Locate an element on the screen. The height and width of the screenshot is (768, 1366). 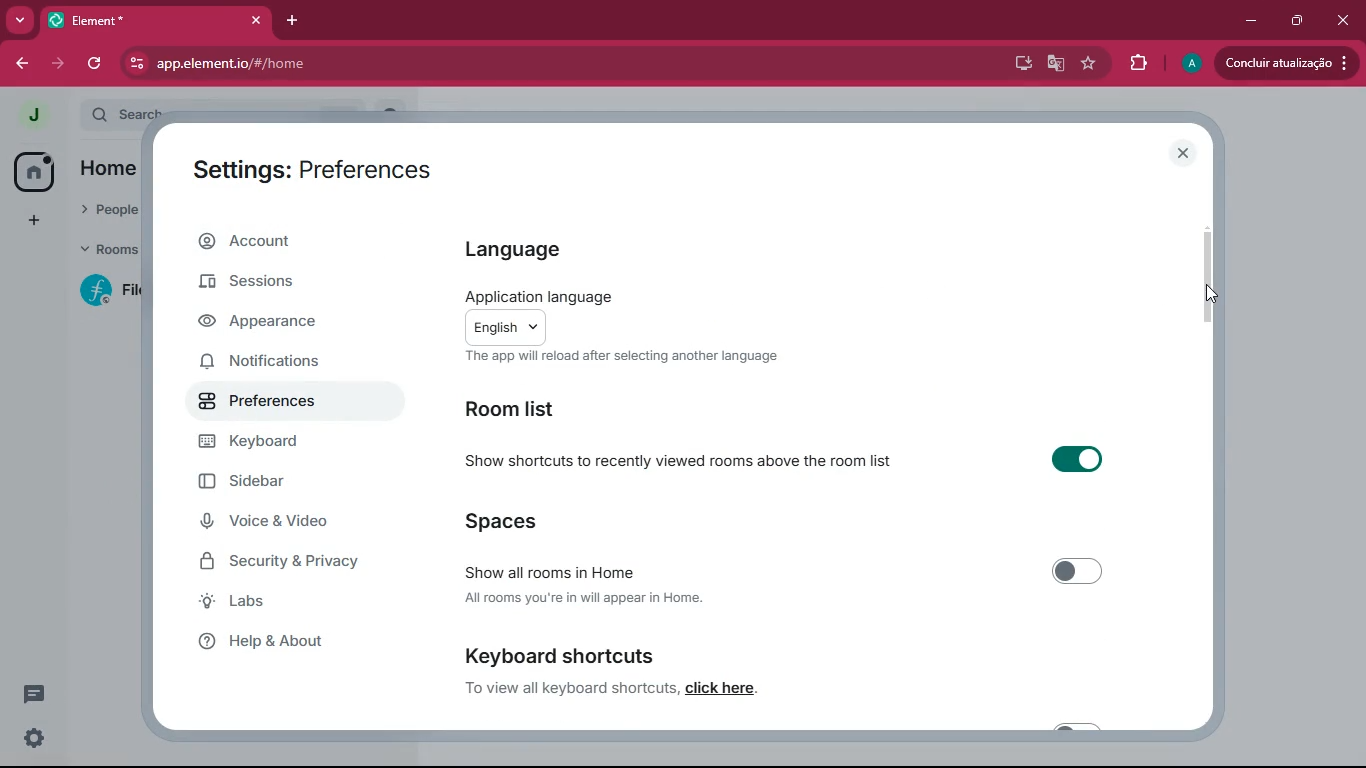
profile picture is located at coordinates (34, 114).